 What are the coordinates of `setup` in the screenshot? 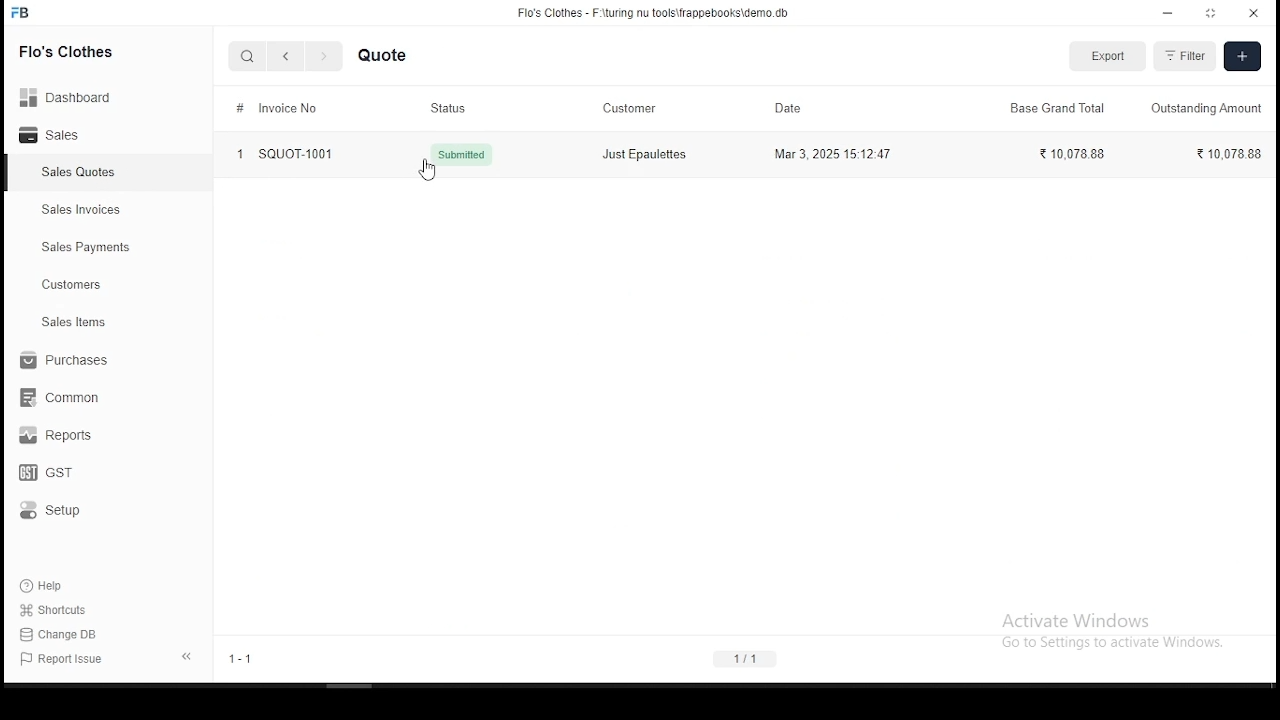 It's located at (66, 511).